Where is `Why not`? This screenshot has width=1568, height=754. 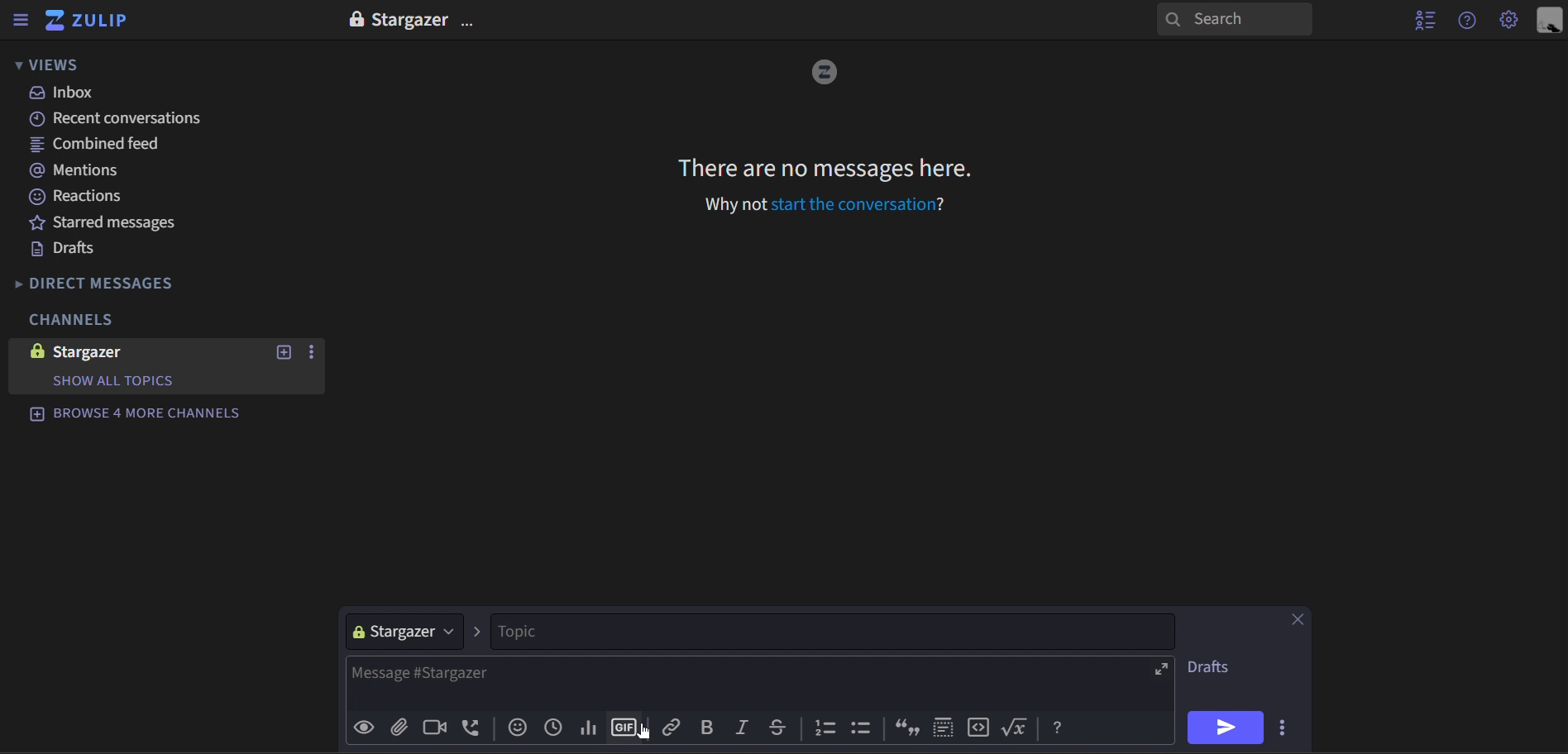
Why not is located at coordinates (726, 206).